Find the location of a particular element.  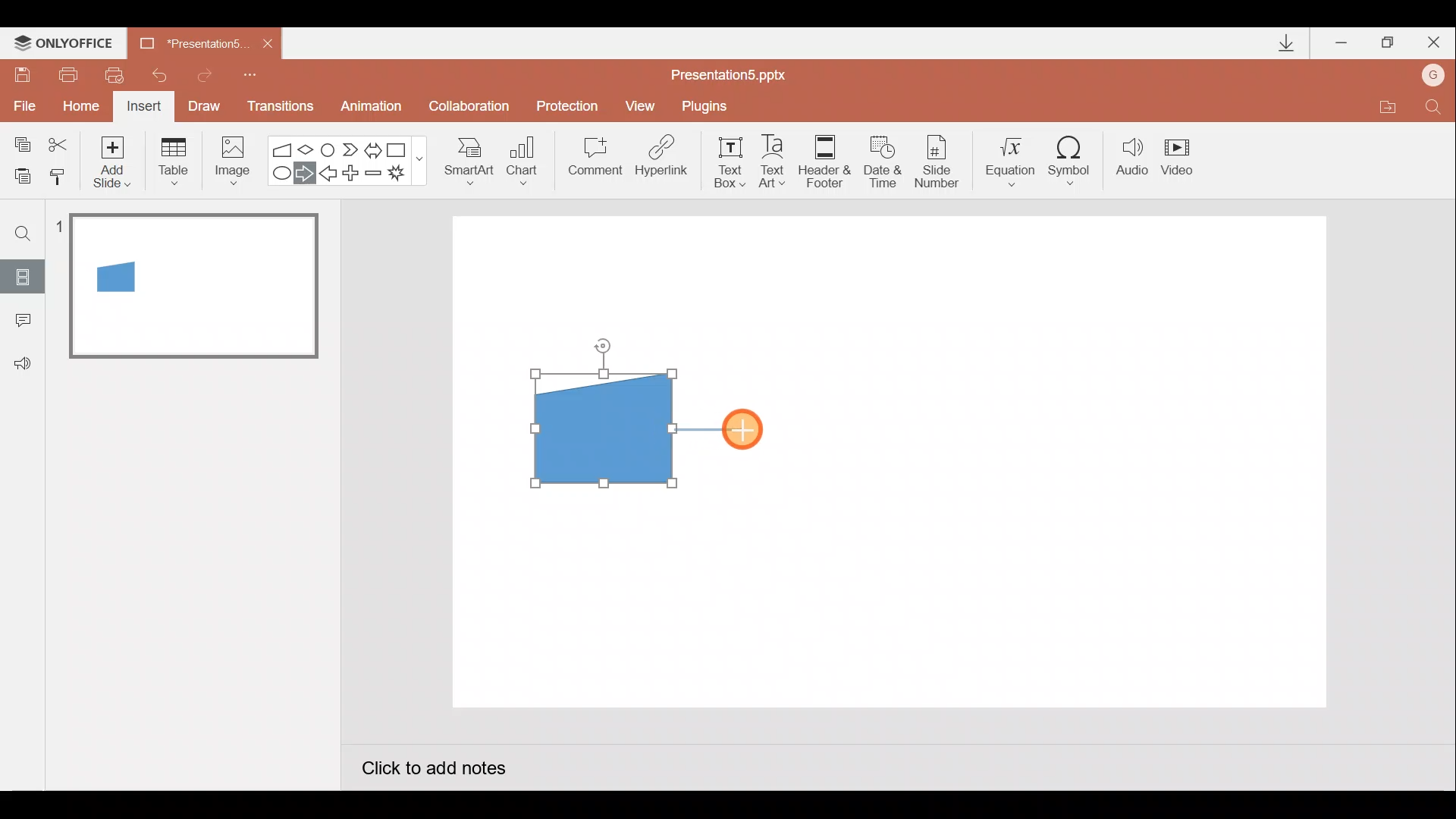

Add slide is located at coordinates (115, 158).